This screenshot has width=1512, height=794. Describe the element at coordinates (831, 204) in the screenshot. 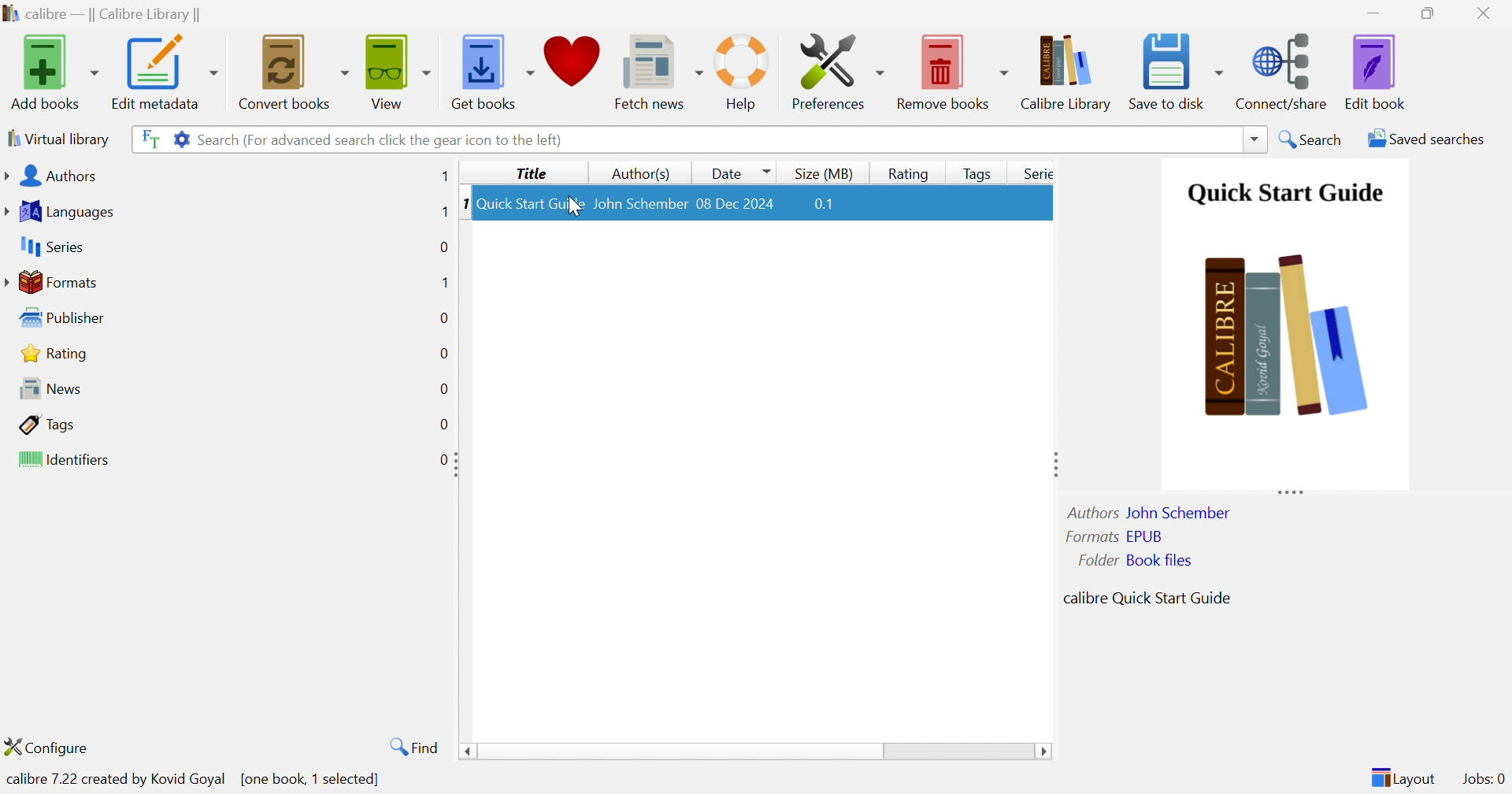

I see `0.1` at that location.